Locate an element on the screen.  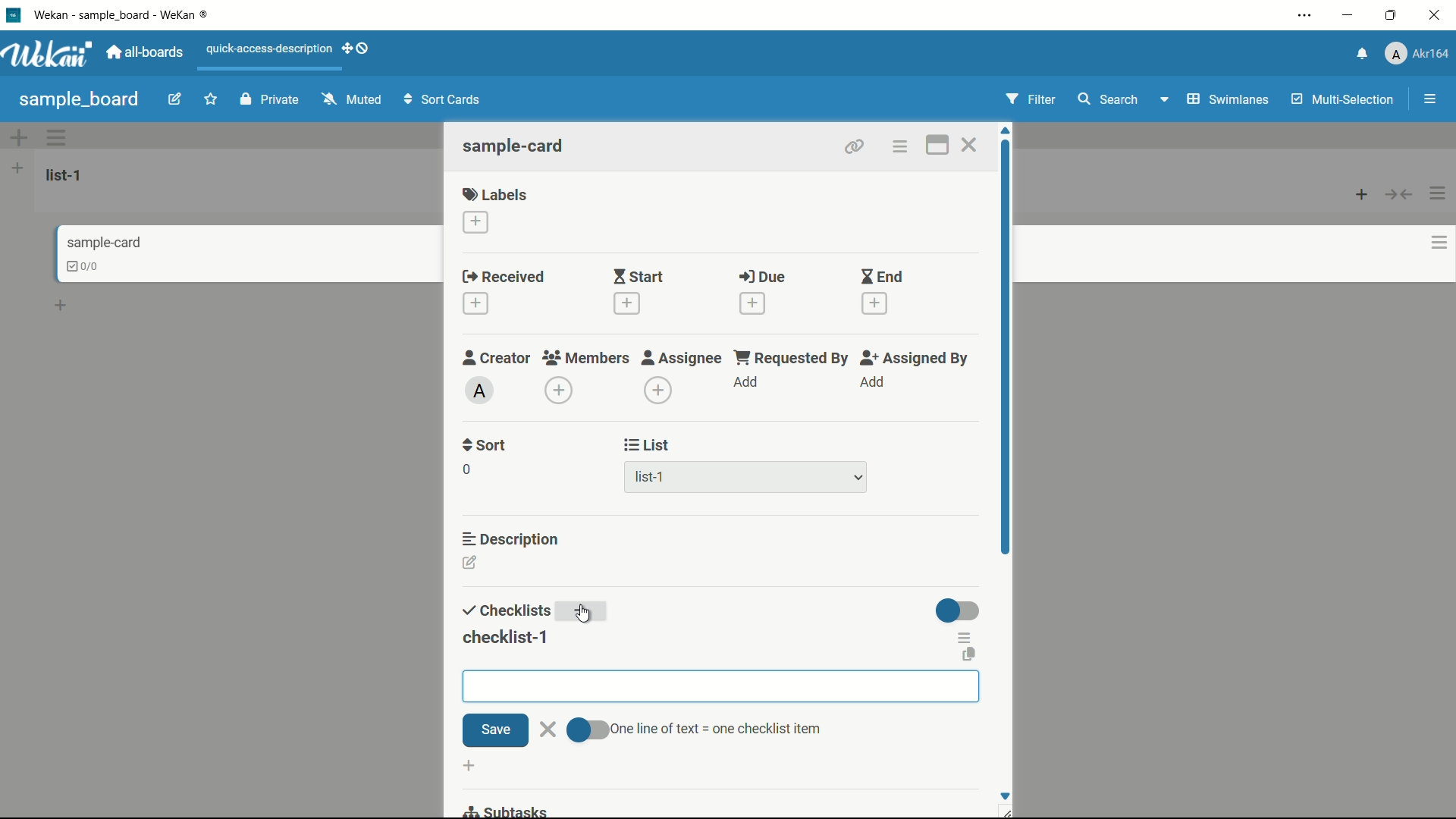
checklist-1 is located at coordinates (504, 638).